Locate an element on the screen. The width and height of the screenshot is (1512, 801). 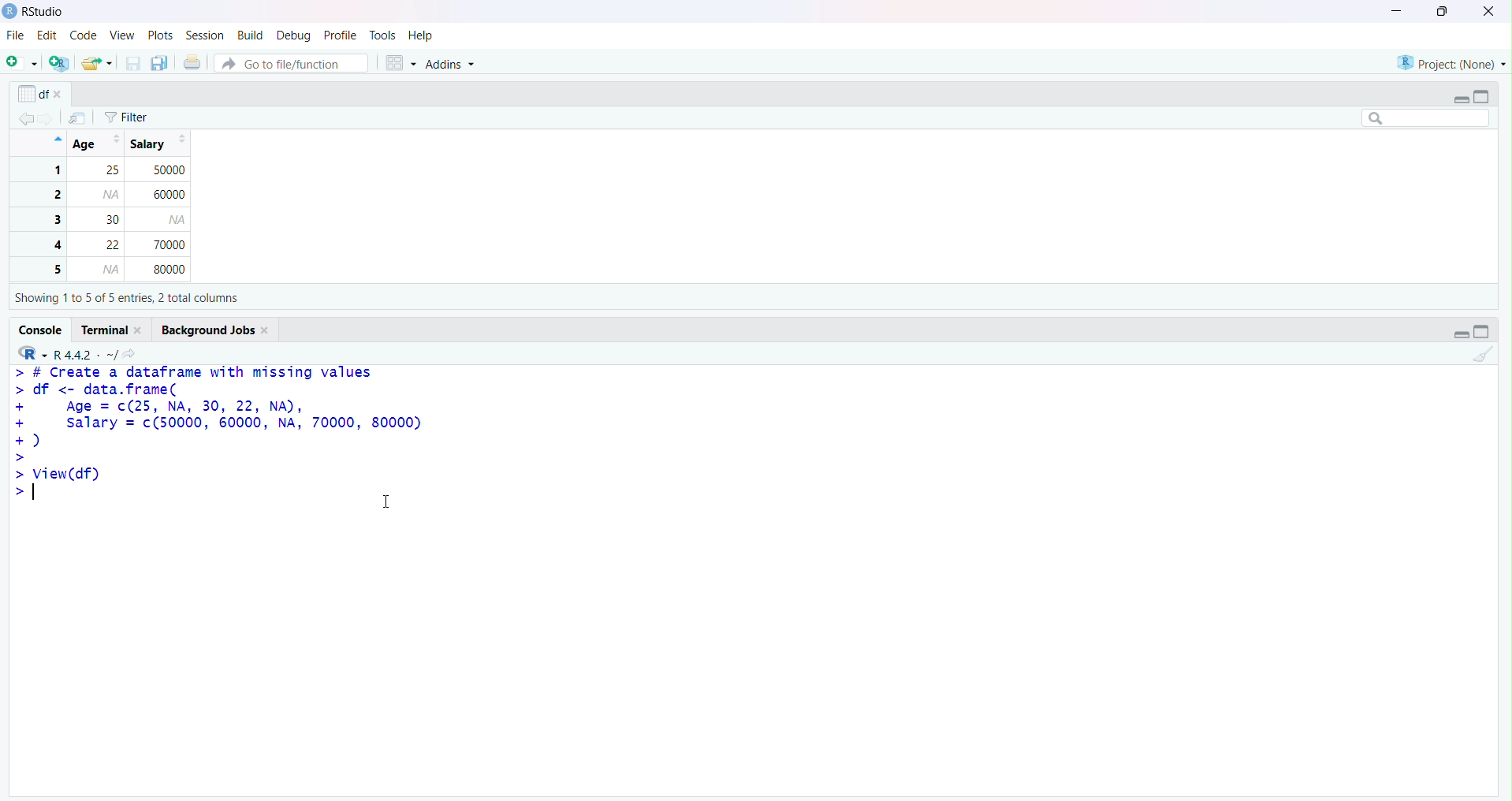
View the current working directory is located at coordinates (134, 352).